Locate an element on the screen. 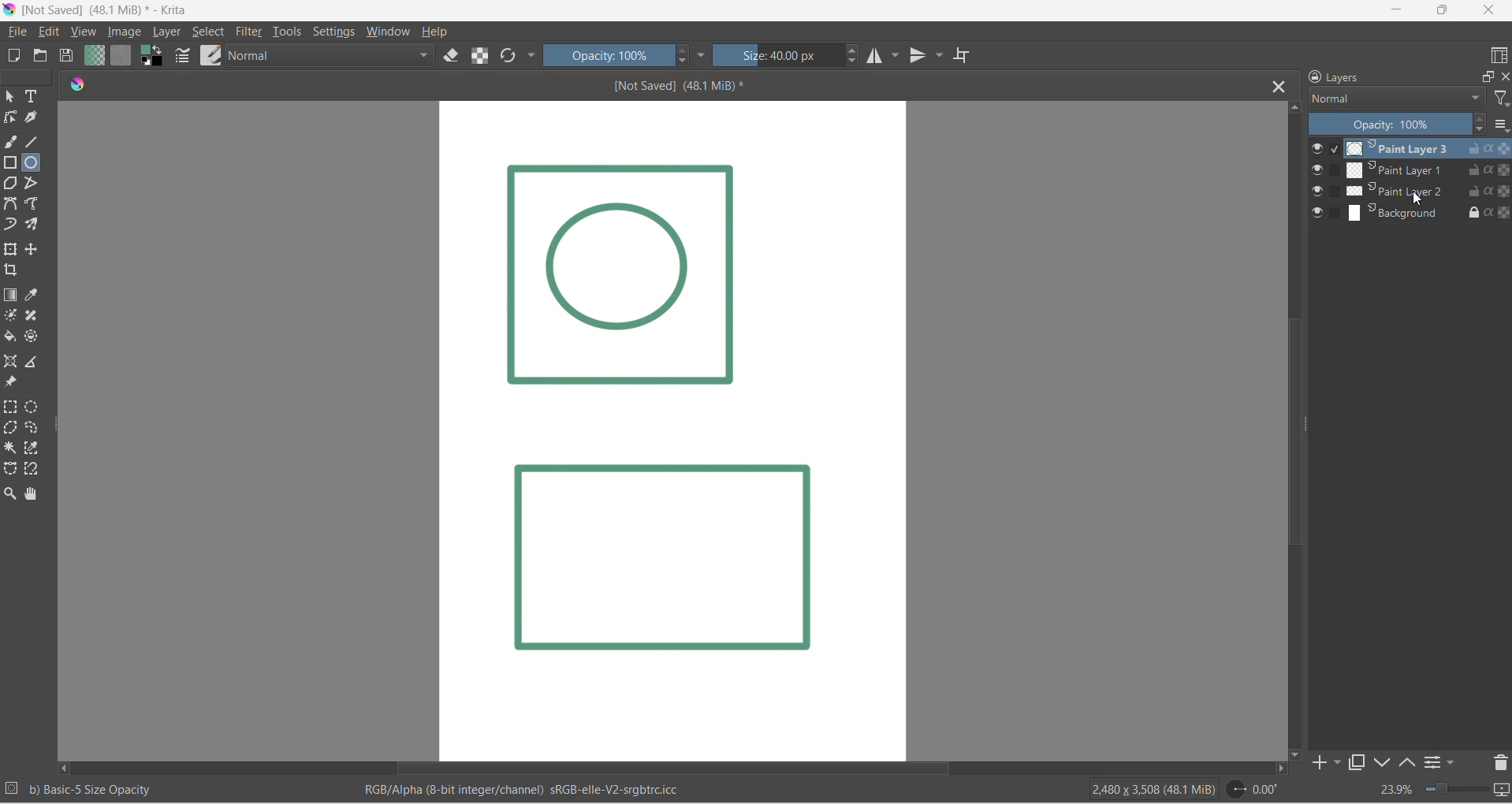 The width and height of the screenshot is (1512, 804). scrollbar is located at coordinates (1306, 427).